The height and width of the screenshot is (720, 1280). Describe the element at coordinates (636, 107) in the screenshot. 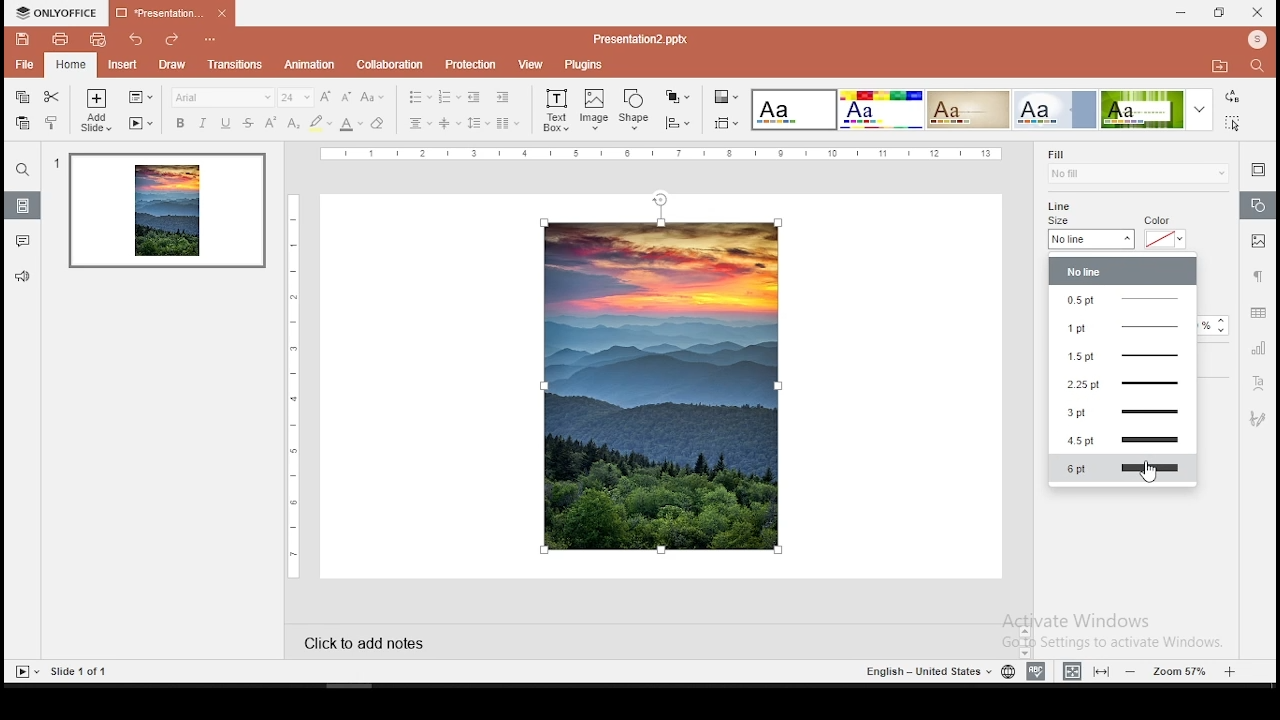

I see `shape` at that location.